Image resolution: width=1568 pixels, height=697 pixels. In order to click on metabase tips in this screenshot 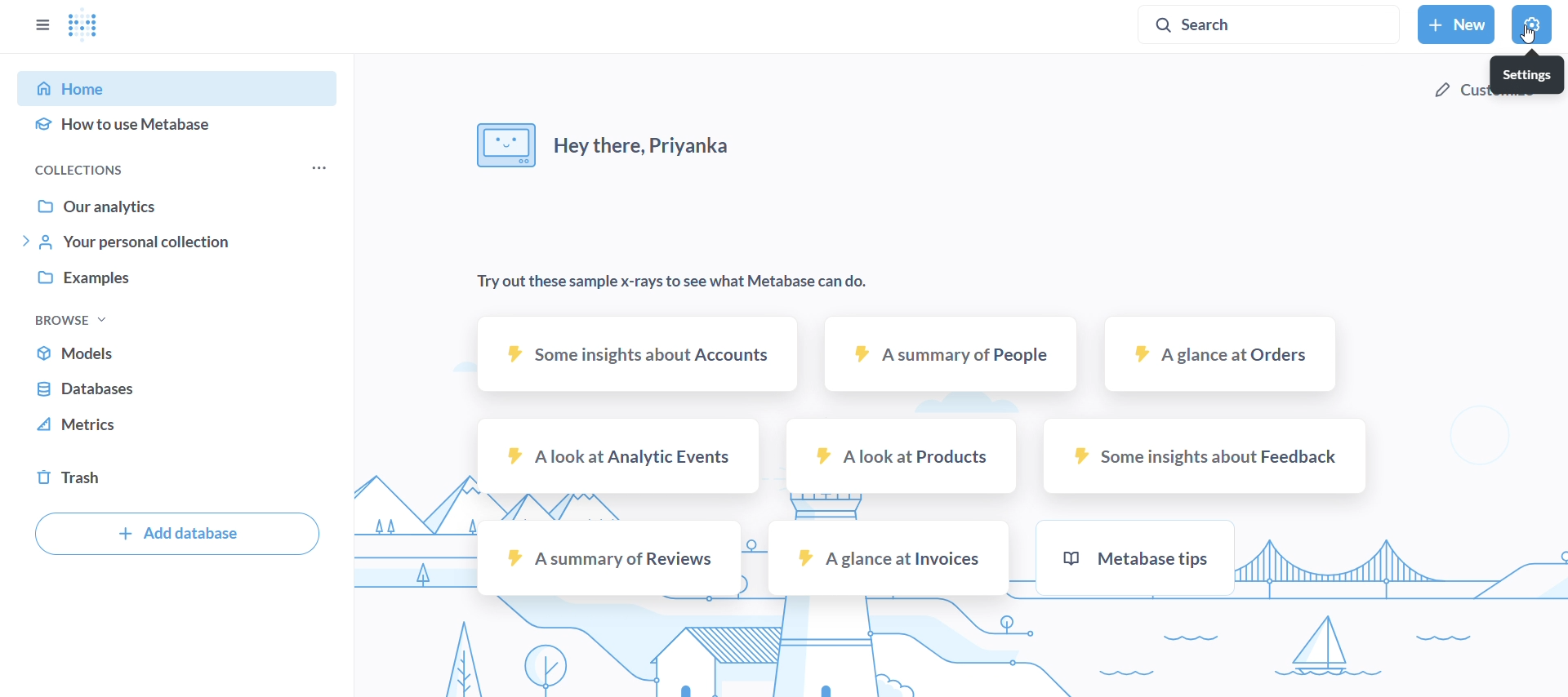, I will do `click(1135, 557)`.